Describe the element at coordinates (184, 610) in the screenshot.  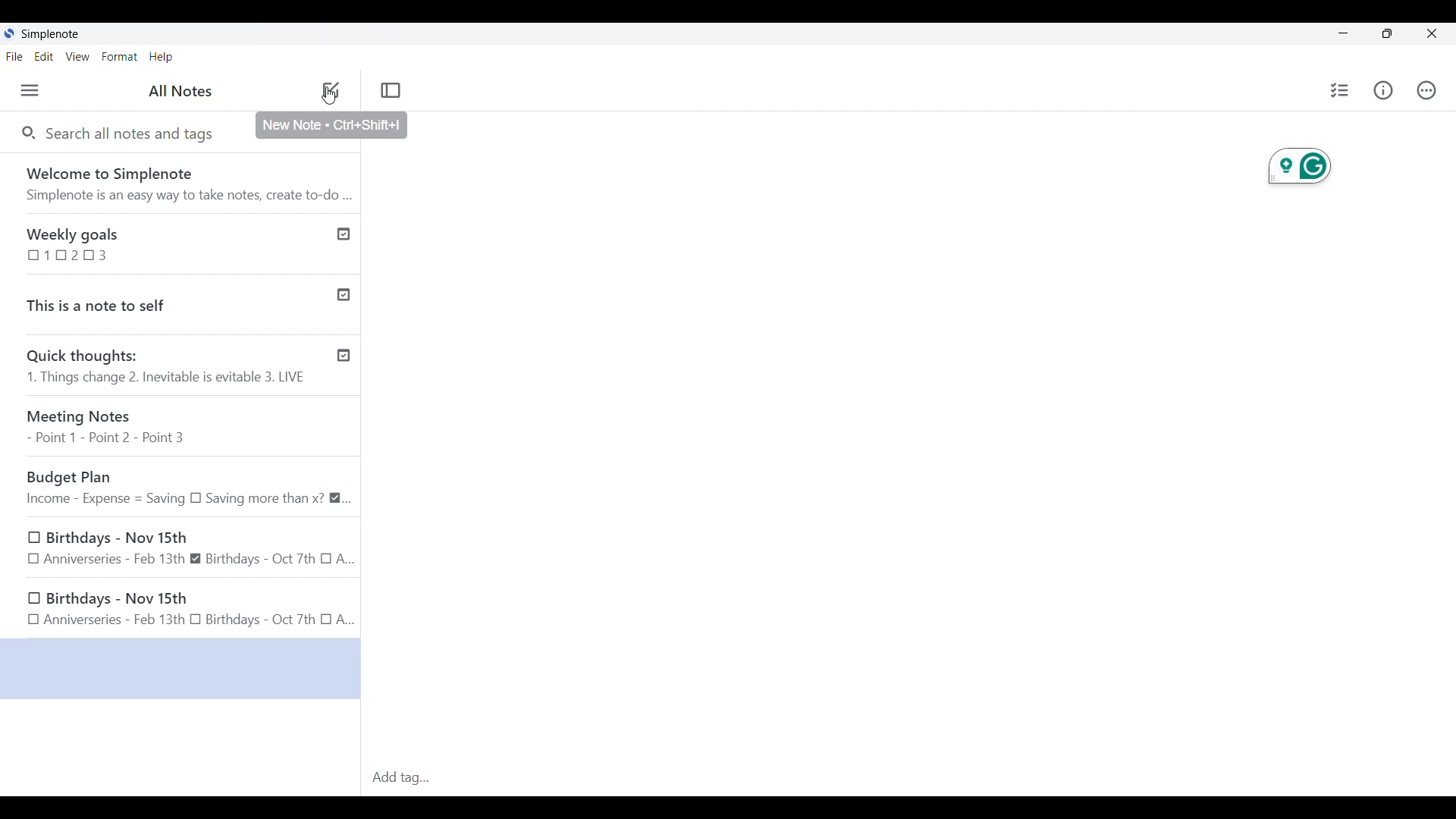
I see `Birthdays - Nov 15th` at that location.